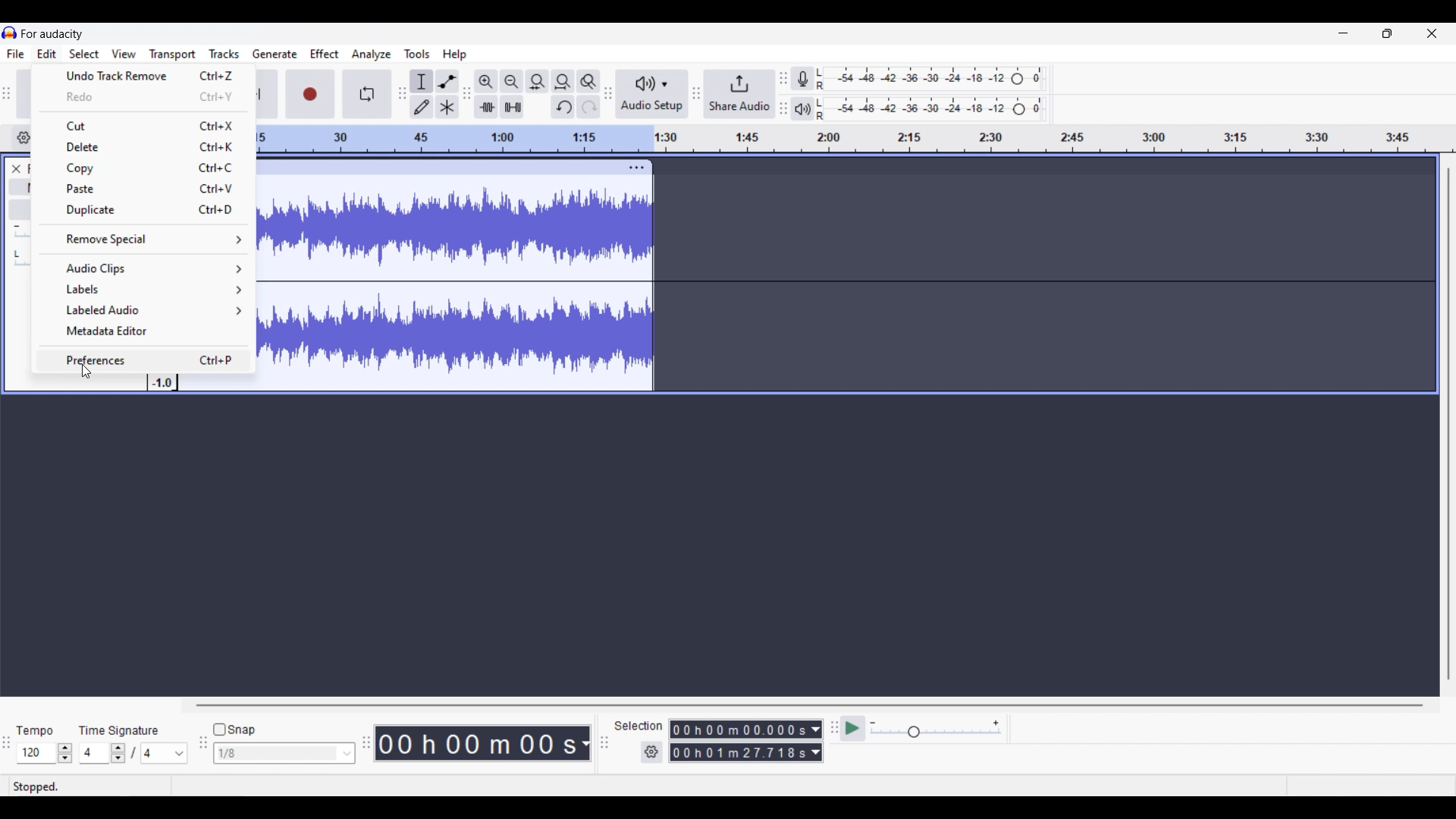 The height and width of the screenshot is (819, 1456). What do you see at coordinates (145, 331) in the screenshot?
I see `Metadata editor` at bounding box center [145, 331].